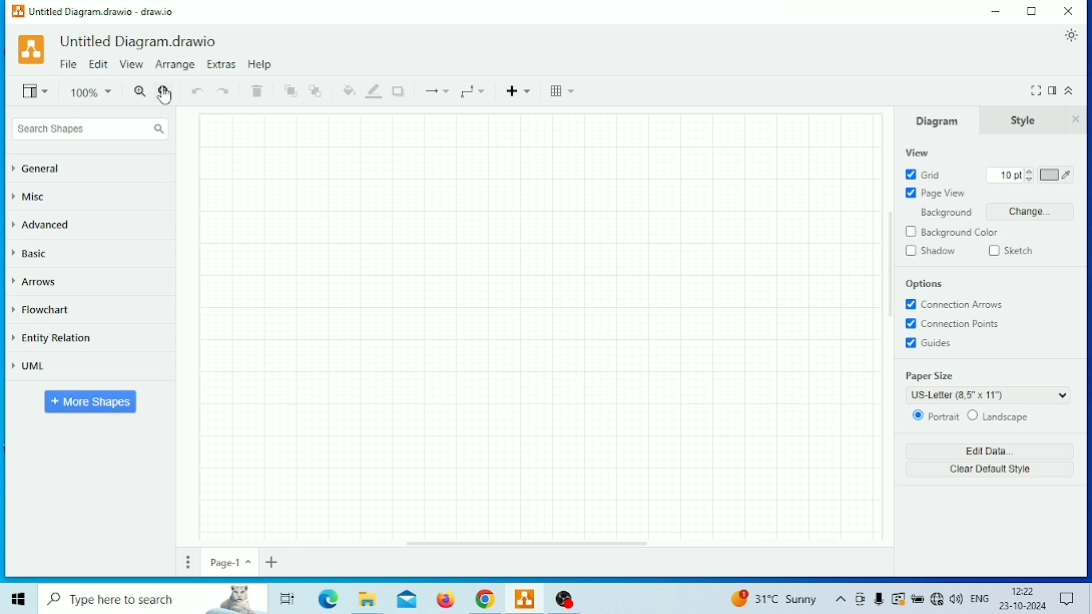 The image size is (1092, 614). Describe the element at coordinates (289, 597) in the screenshot. I see `Task View` at that location.